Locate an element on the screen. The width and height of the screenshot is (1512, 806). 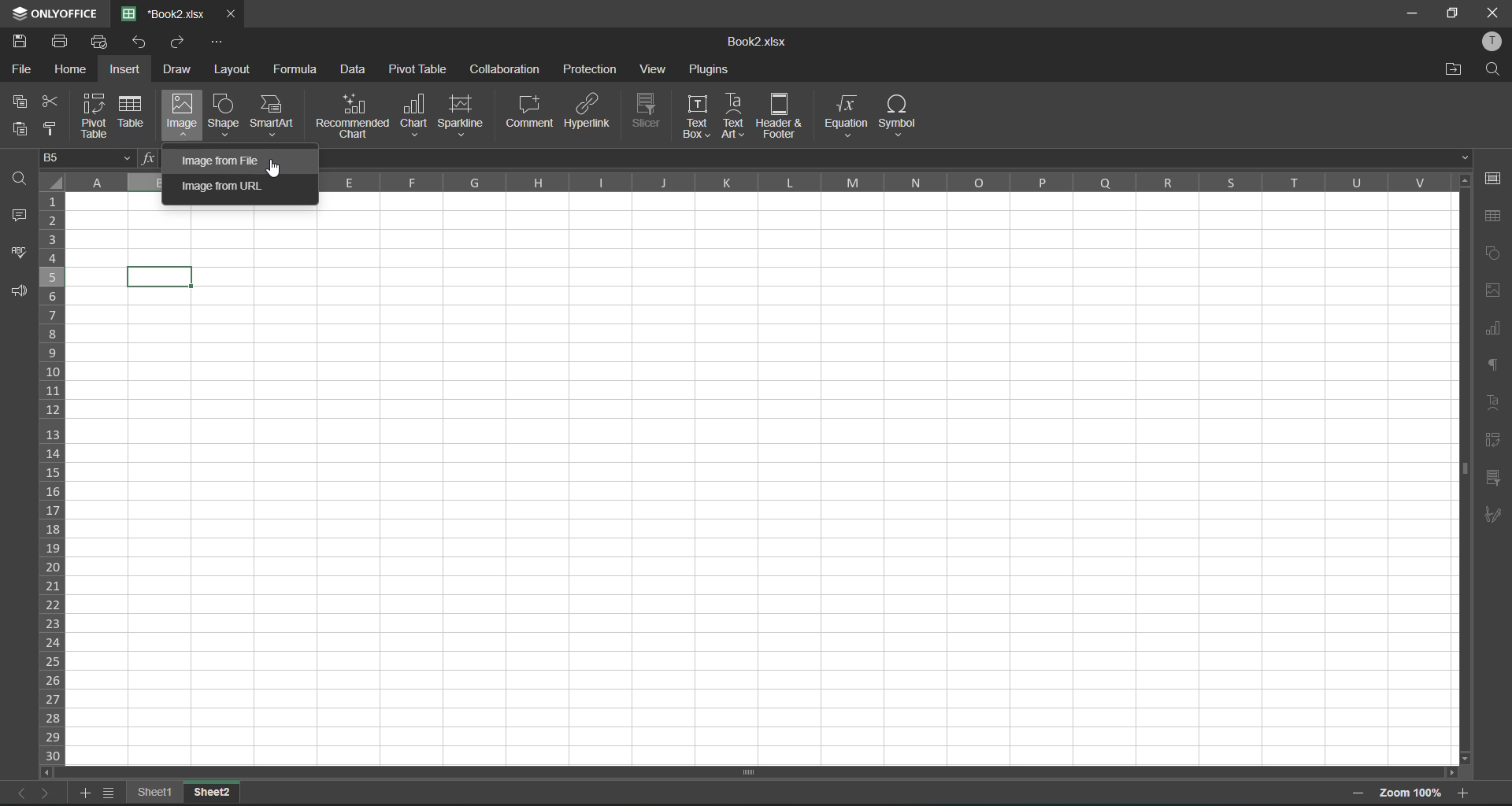
paragraph is located at coordinates (1496, 370).